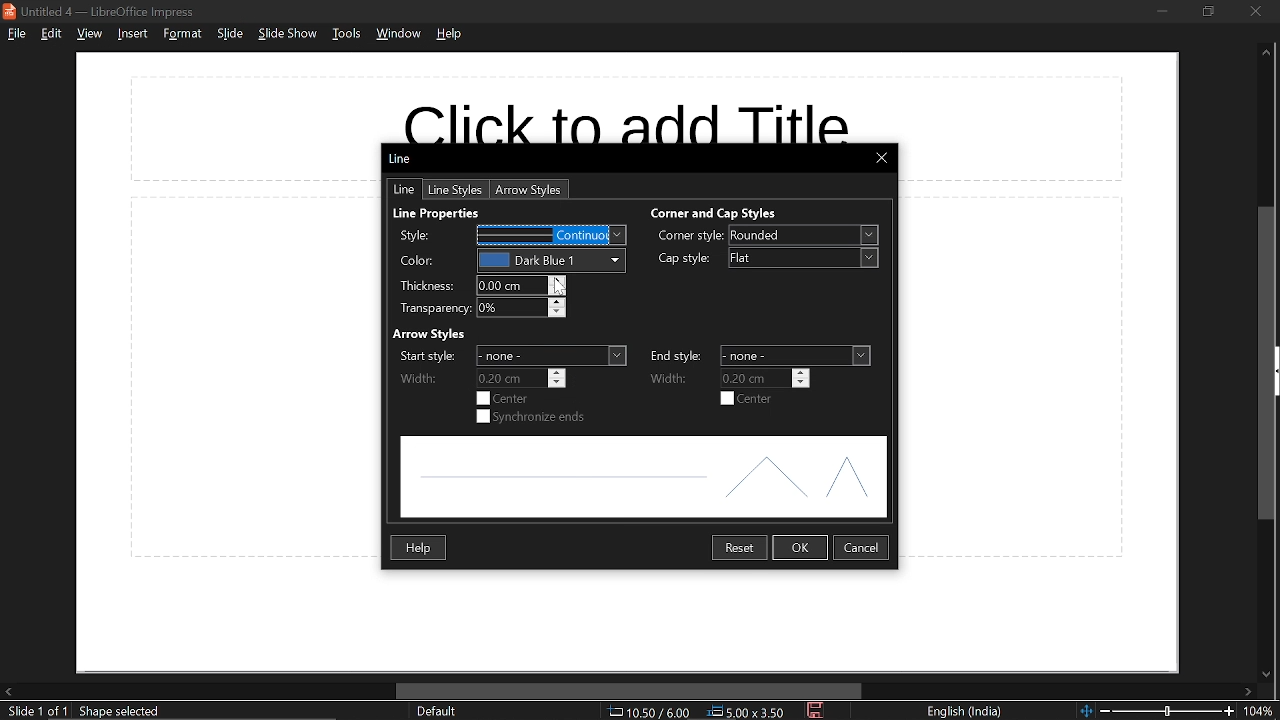 Image resolution: width=1280 pixels, height=720 pixels. What do you see at coordinates (630, 691) in the screenshot?
I see `horizontal scrollbar` at bounding box center [630, 691].